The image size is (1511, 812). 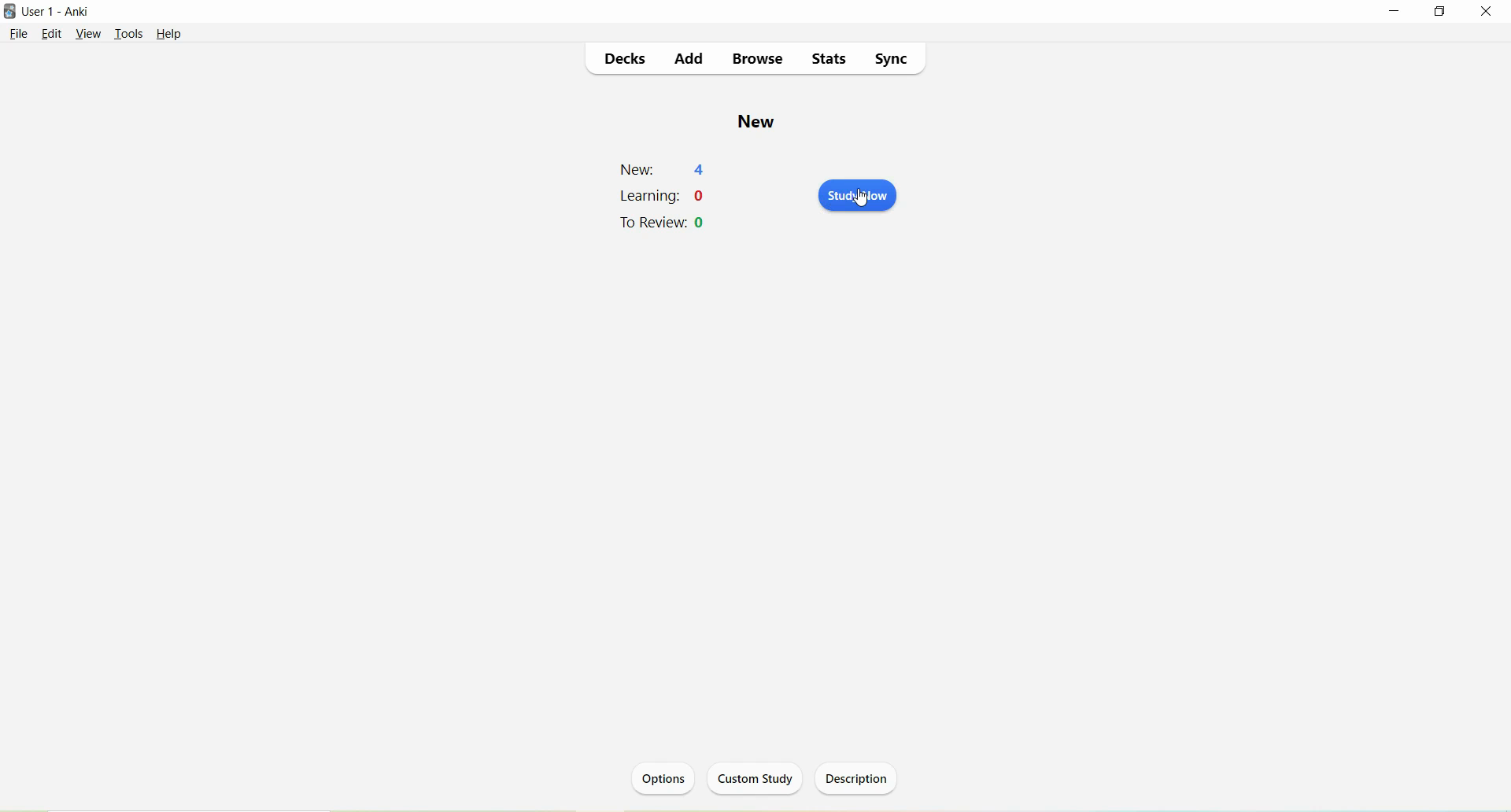 What do you see at coordinates (690, 60) in the screenshot?
I see `Add` at bounding box center [690, 60].